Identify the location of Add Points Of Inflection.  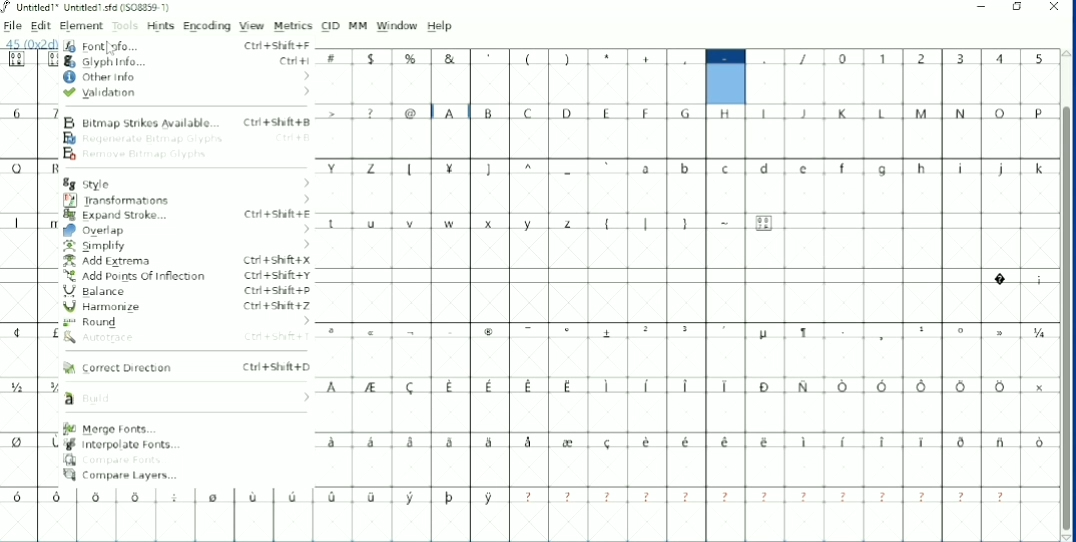
(187, 277).